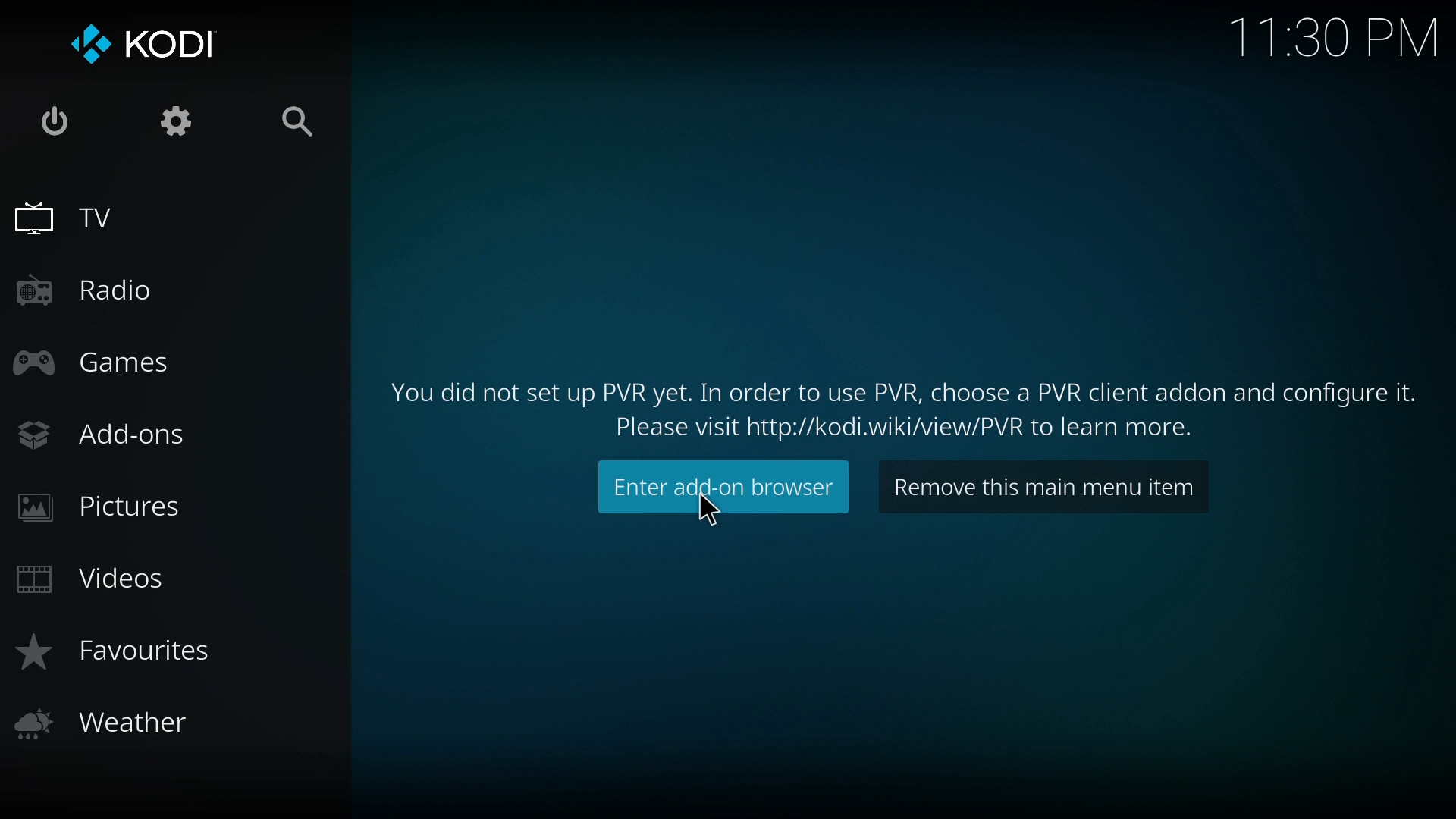 This screenshot has height=819, width=1456. Describe the element at coordinates (179, 124) in the screenshot. I see `setting` at that location.